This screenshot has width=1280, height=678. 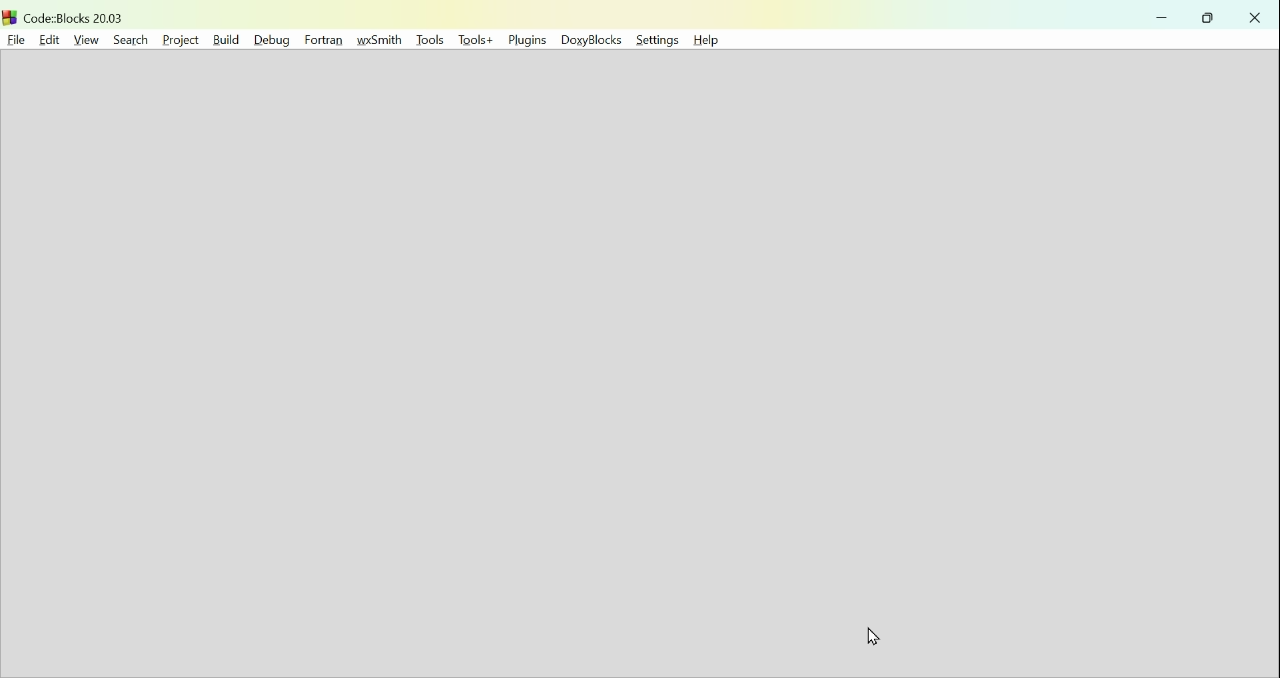 I want to click on Tools, so click(x=431, y=40).